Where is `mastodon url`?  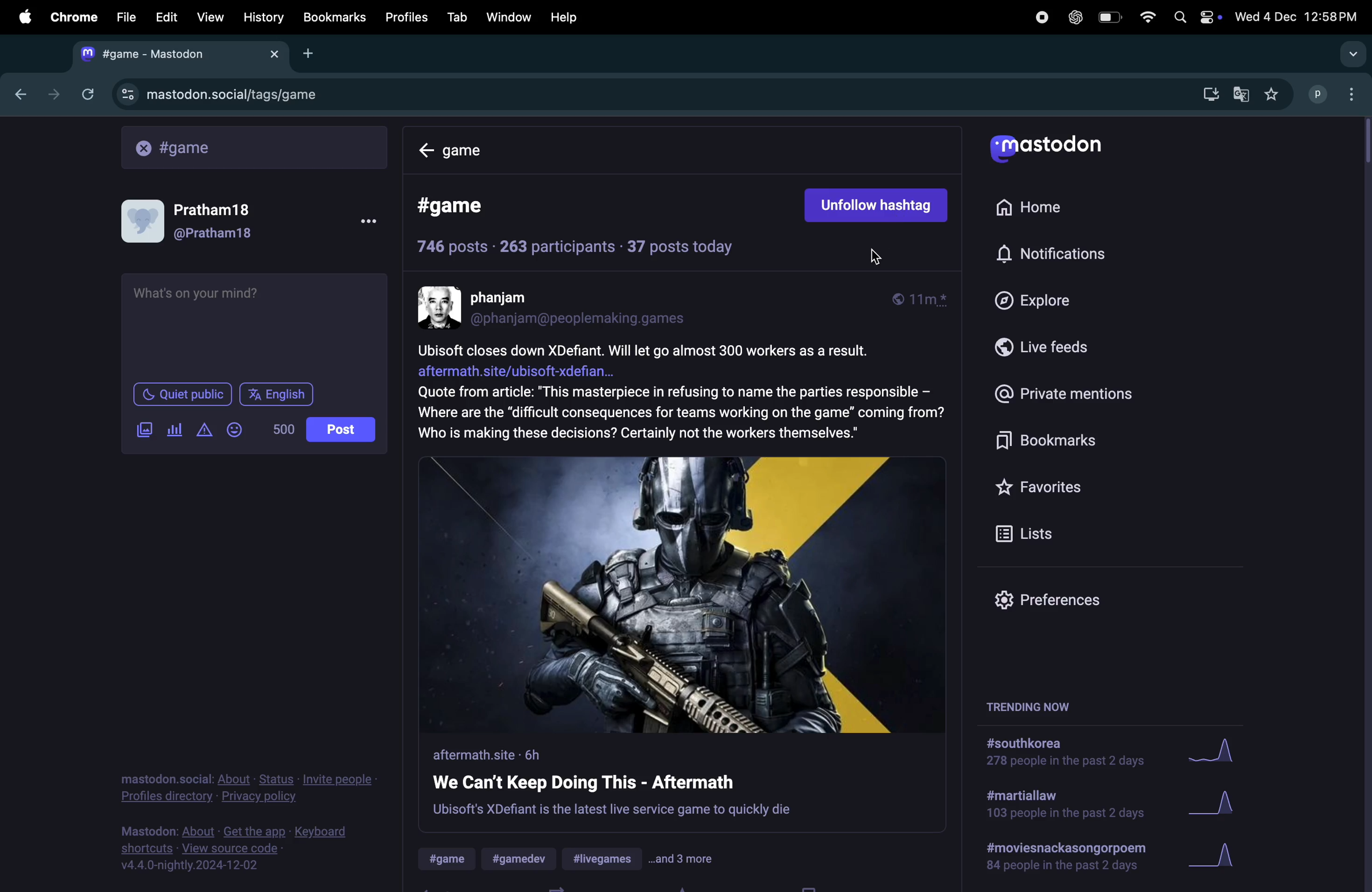 mastodon url is located at coordinates (217, 95).